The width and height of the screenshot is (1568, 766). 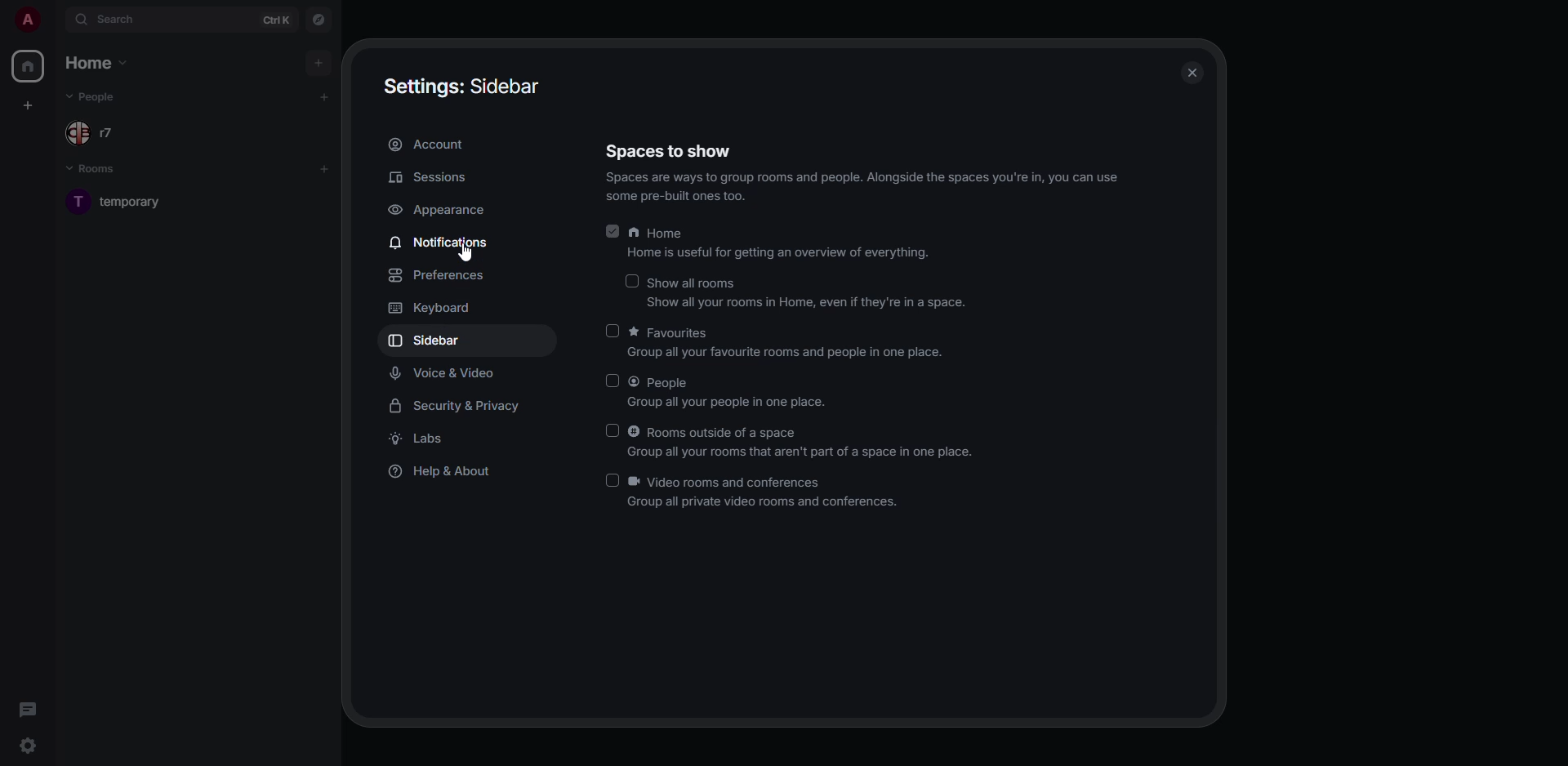 I want to click on home, so click(x=98, y=62).